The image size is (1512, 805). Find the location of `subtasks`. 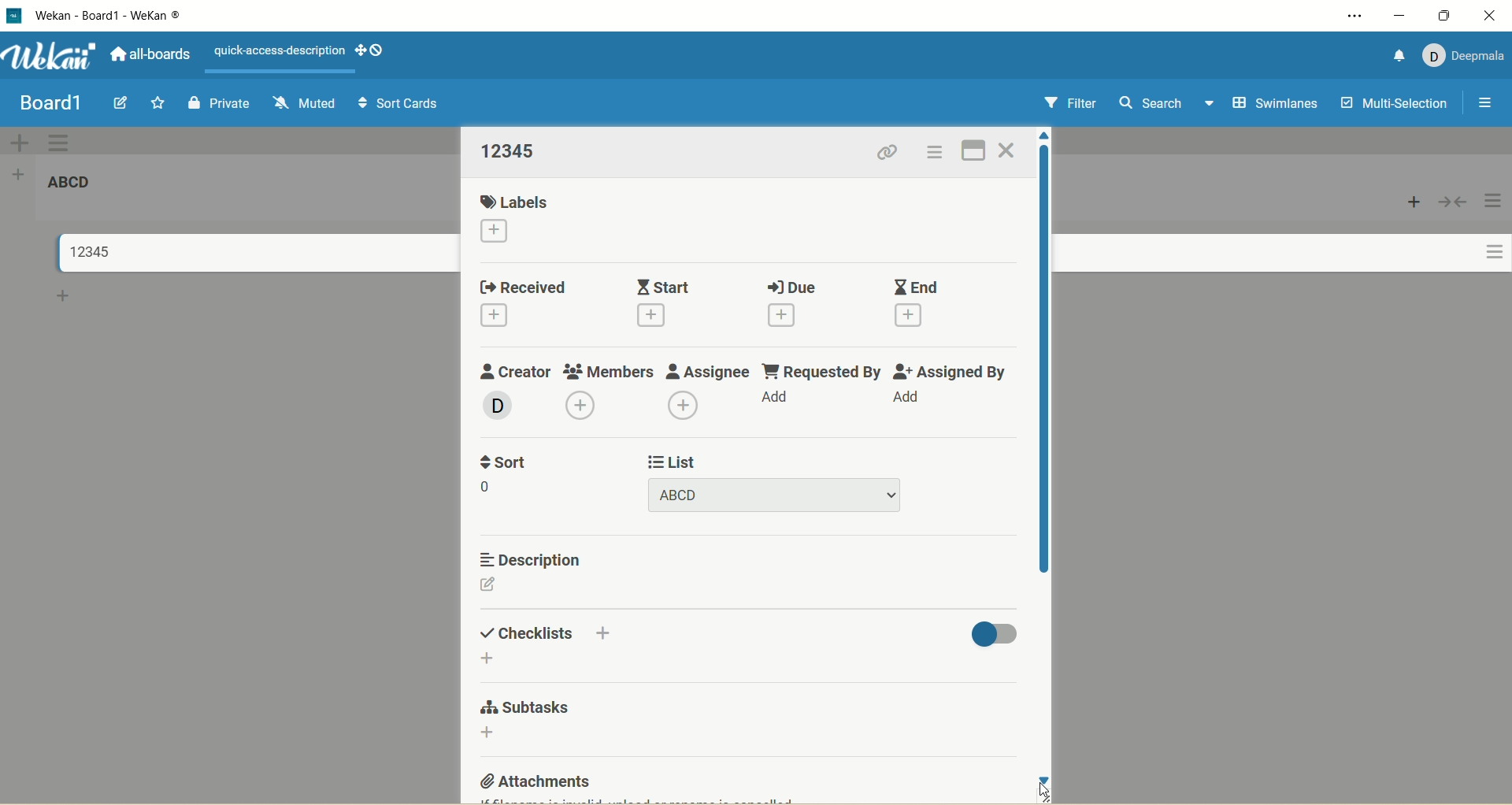

subtasks is located at coordinates (526, 709).